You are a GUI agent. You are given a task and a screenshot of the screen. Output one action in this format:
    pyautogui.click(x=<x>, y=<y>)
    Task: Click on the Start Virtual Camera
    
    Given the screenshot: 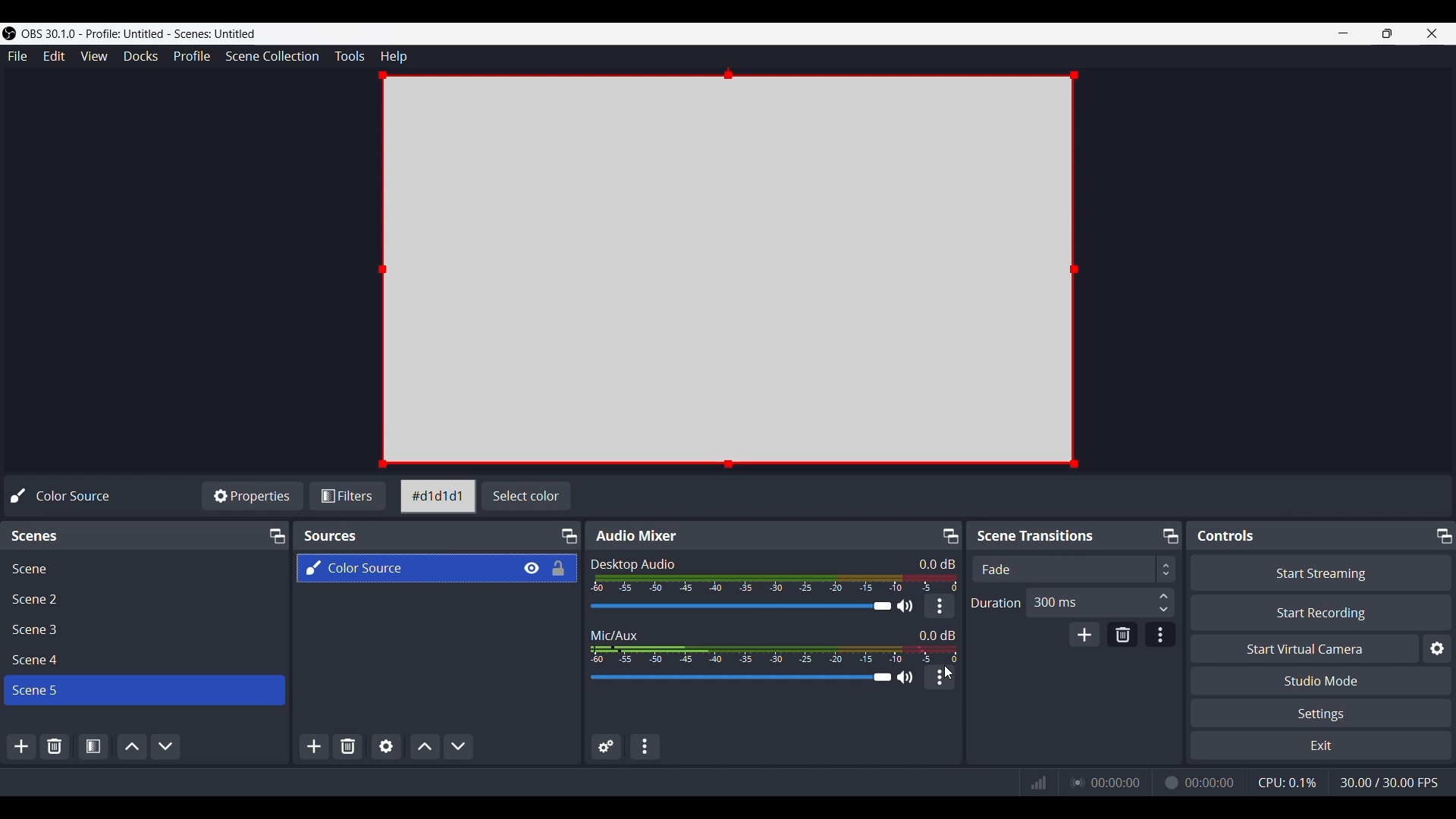 What is the action you would take?
    pyautogui.click(x=1301, y=648)
    